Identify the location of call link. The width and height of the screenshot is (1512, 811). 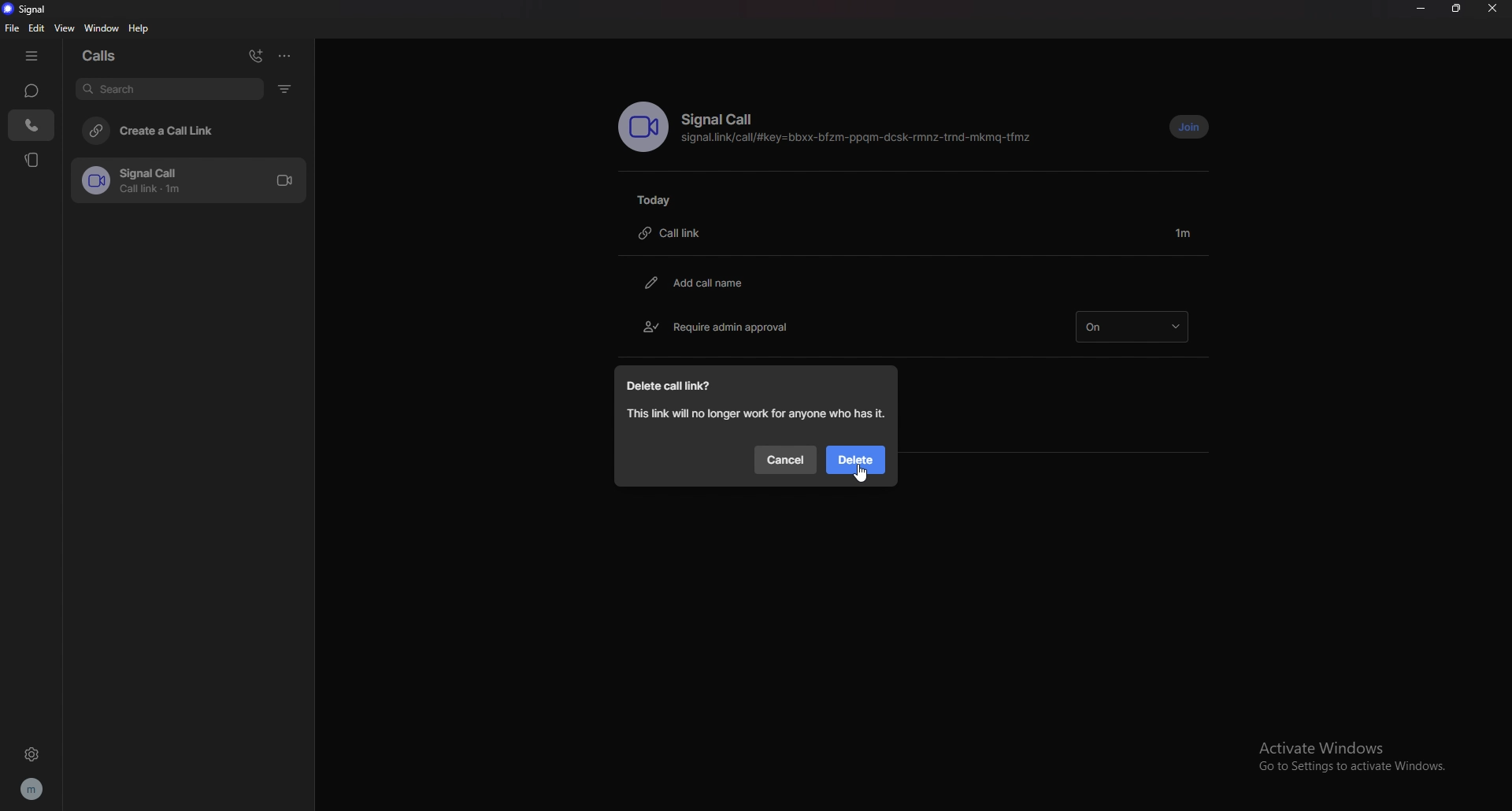
(679, 232).